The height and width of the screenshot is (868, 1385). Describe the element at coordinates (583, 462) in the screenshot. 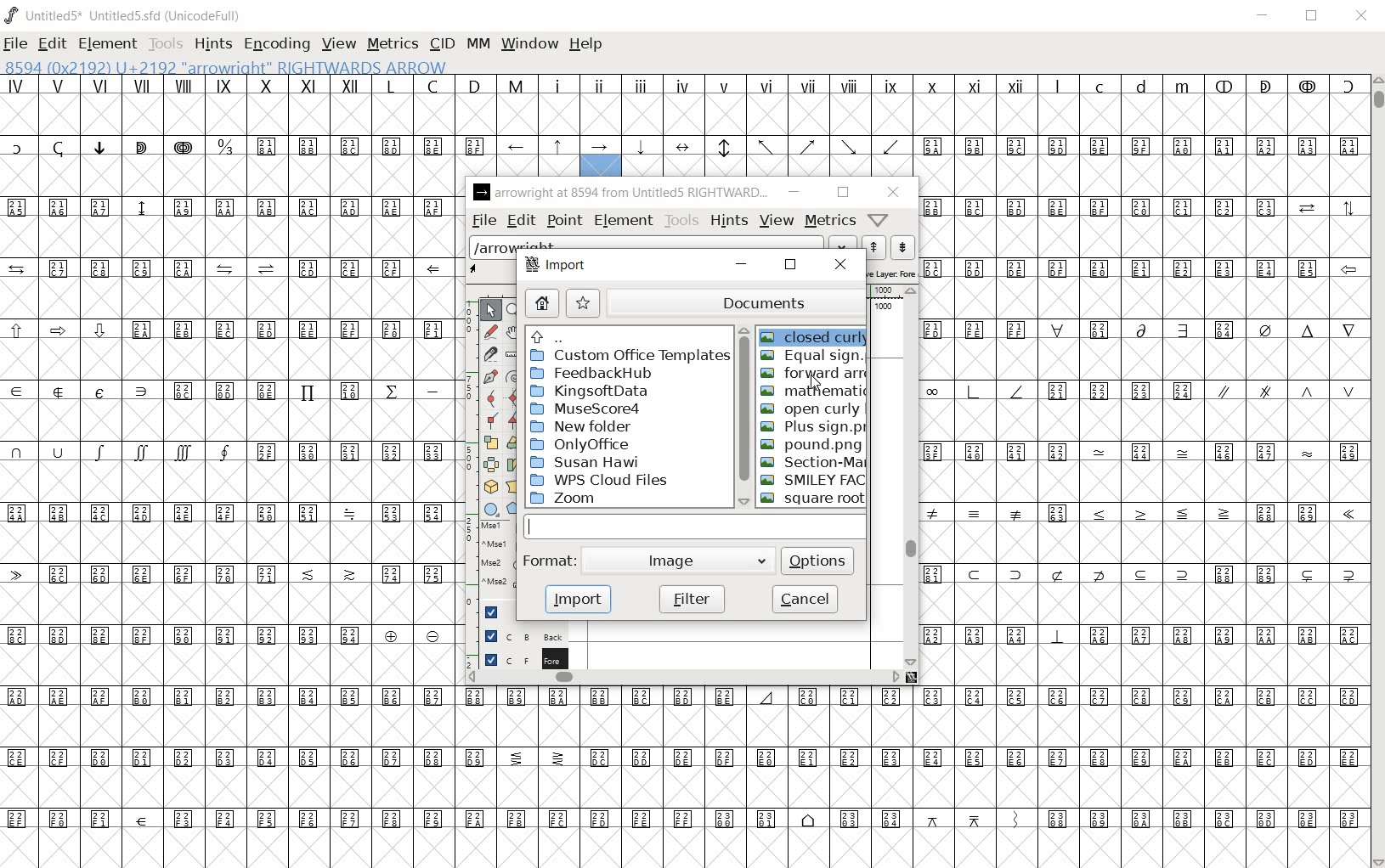

I see `Susan Hawi` at that location.